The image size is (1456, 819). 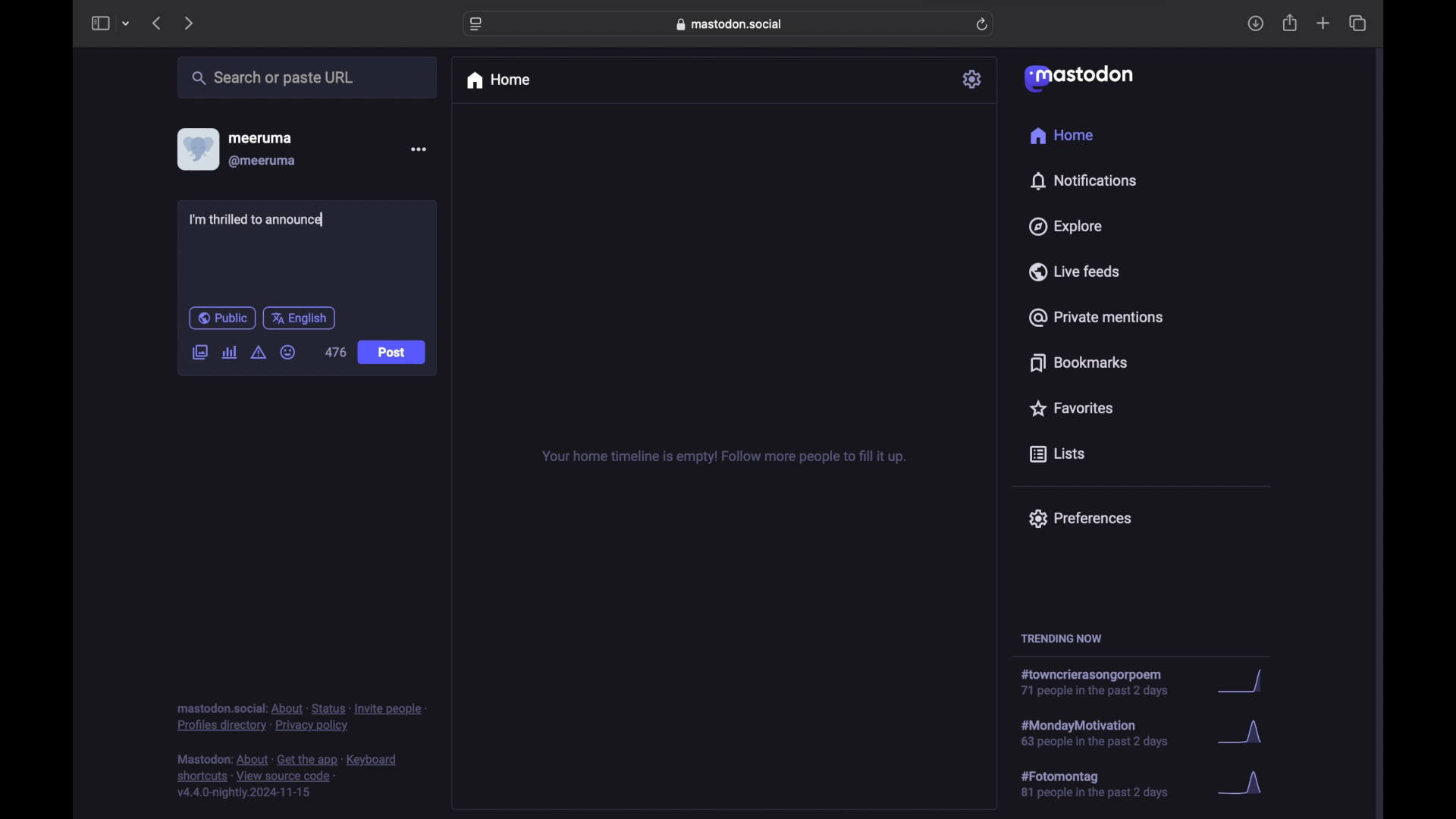 What do you see at coordinates (256, 219) in the screenshot?
I see `I'm thrilled to announce` at bounding box center [256, 219].